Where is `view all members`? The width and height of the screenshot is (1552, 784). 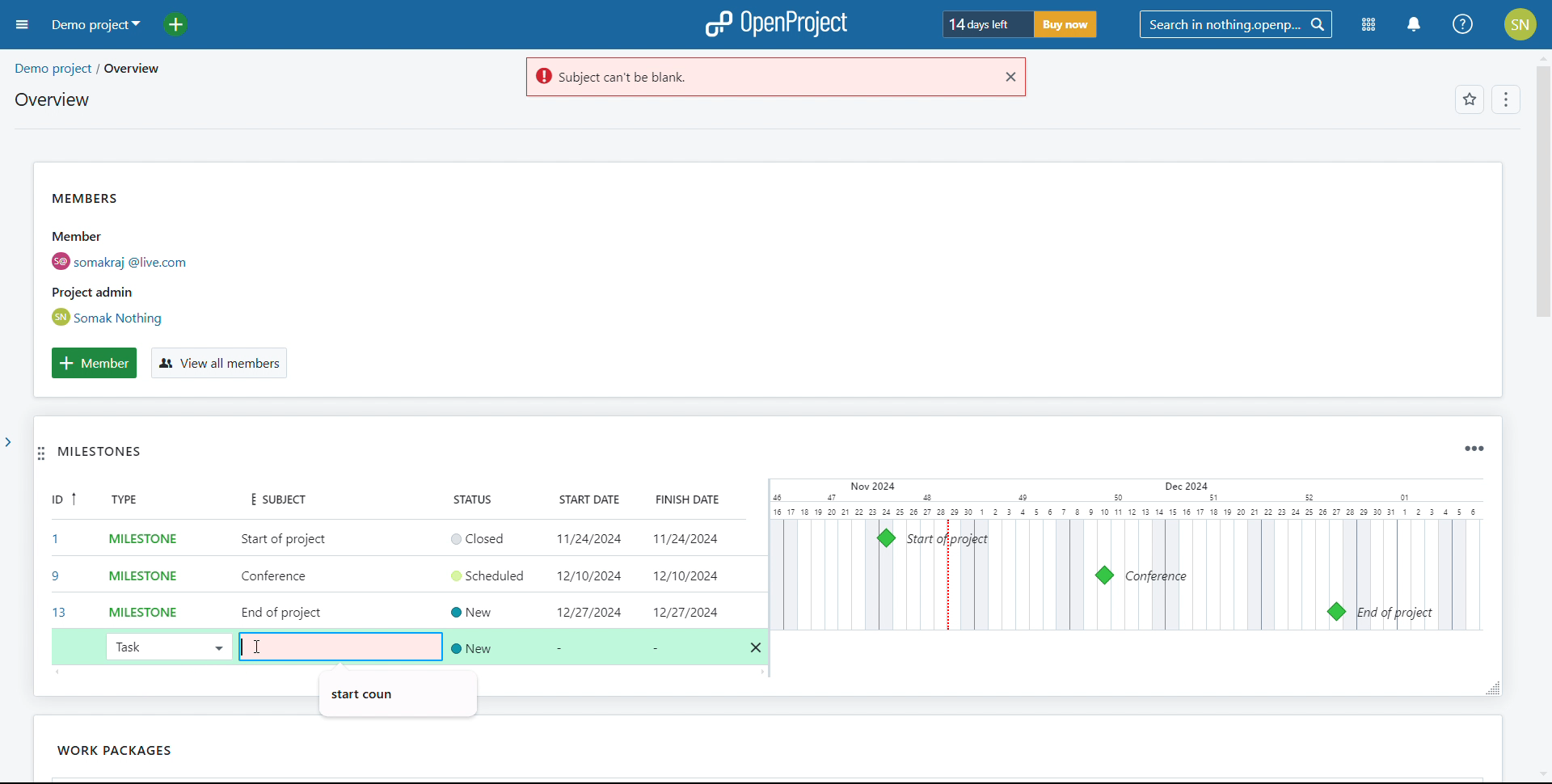
view all members is located at coordinates (217, 364).